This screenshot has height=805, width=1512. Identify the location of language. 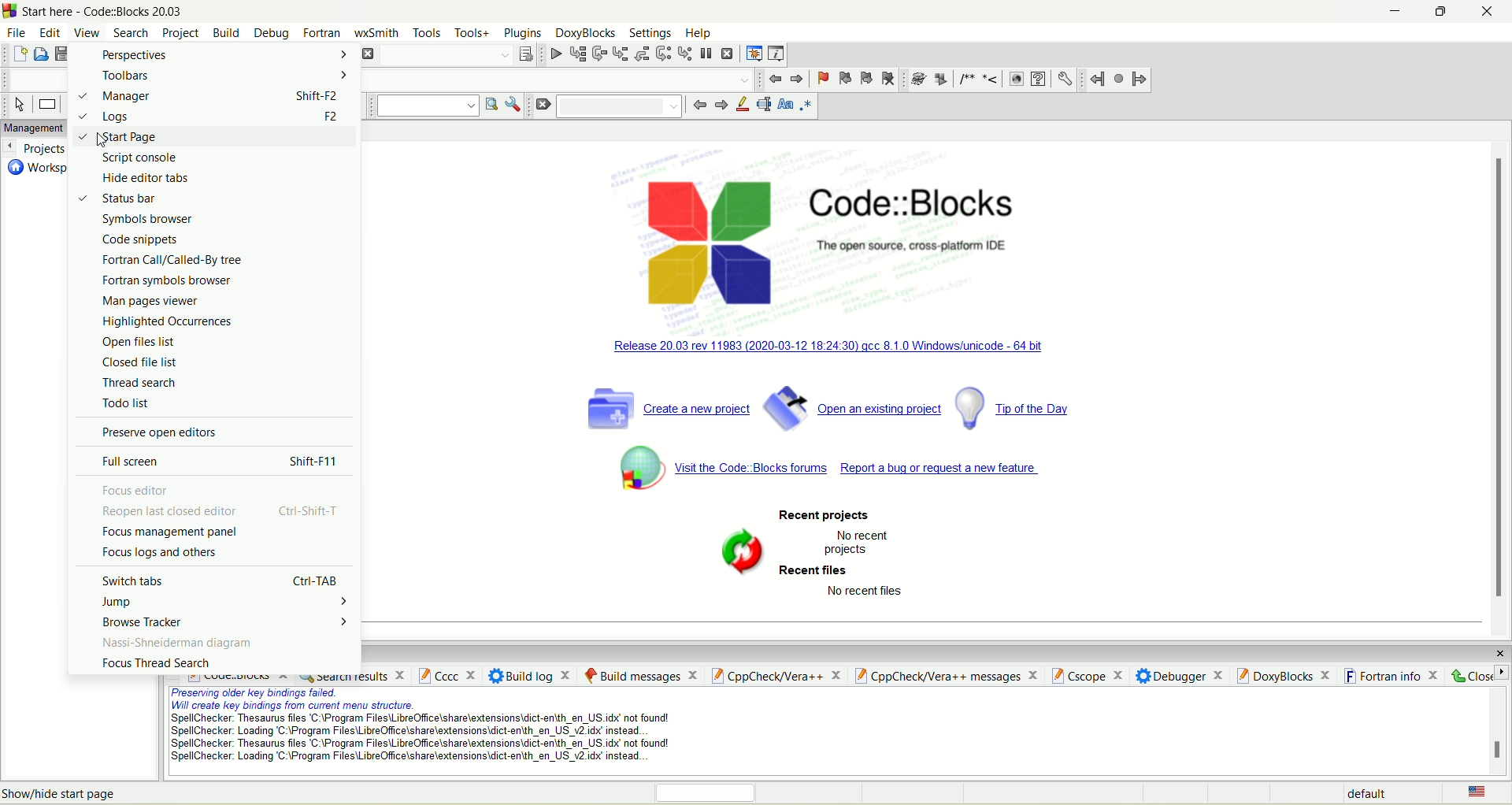
(1475, 792).